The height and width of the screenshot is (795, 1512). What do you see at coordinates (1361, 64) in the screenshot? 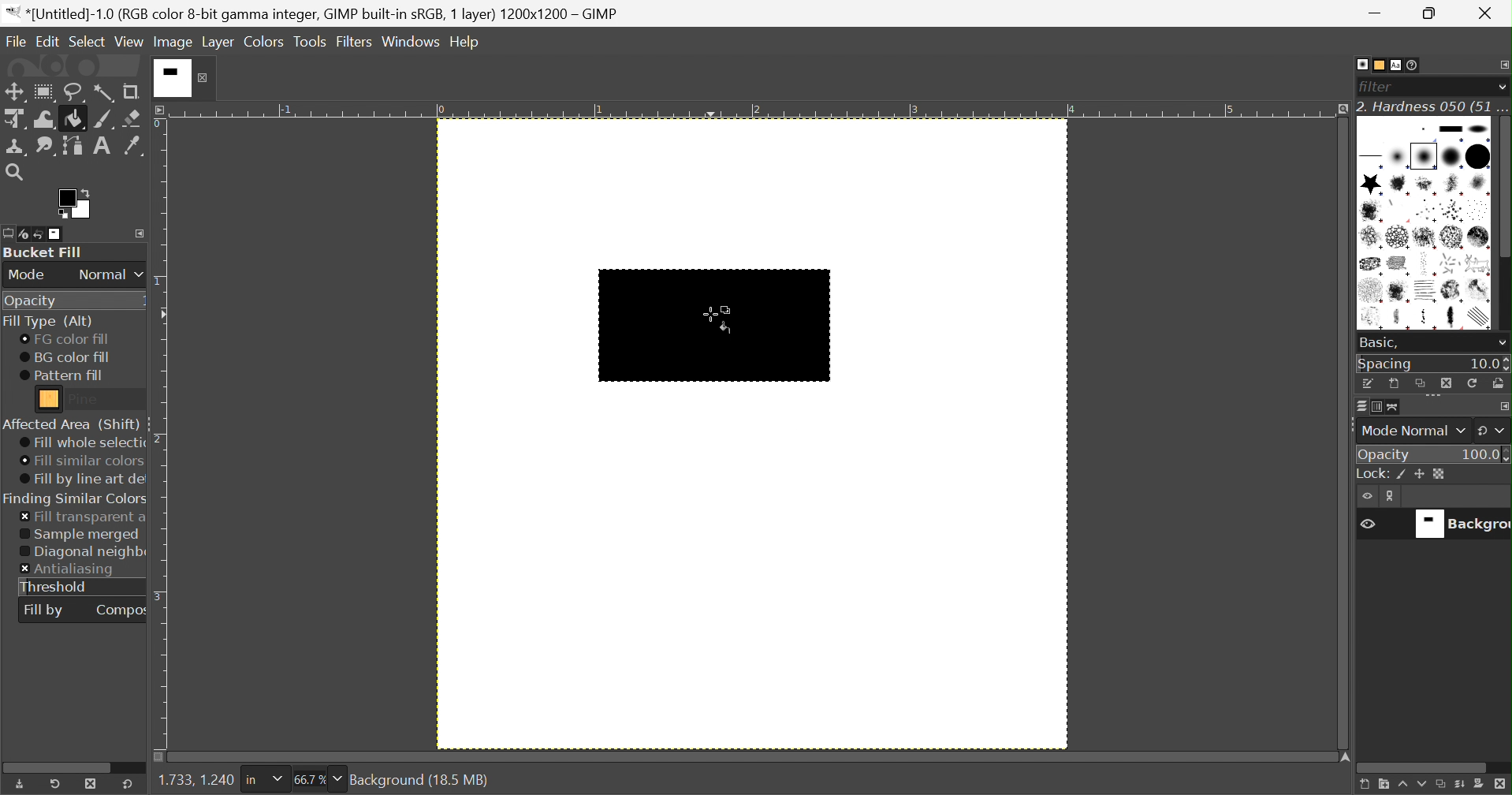
I see `Brushes` at bounding box center [1361, 64].